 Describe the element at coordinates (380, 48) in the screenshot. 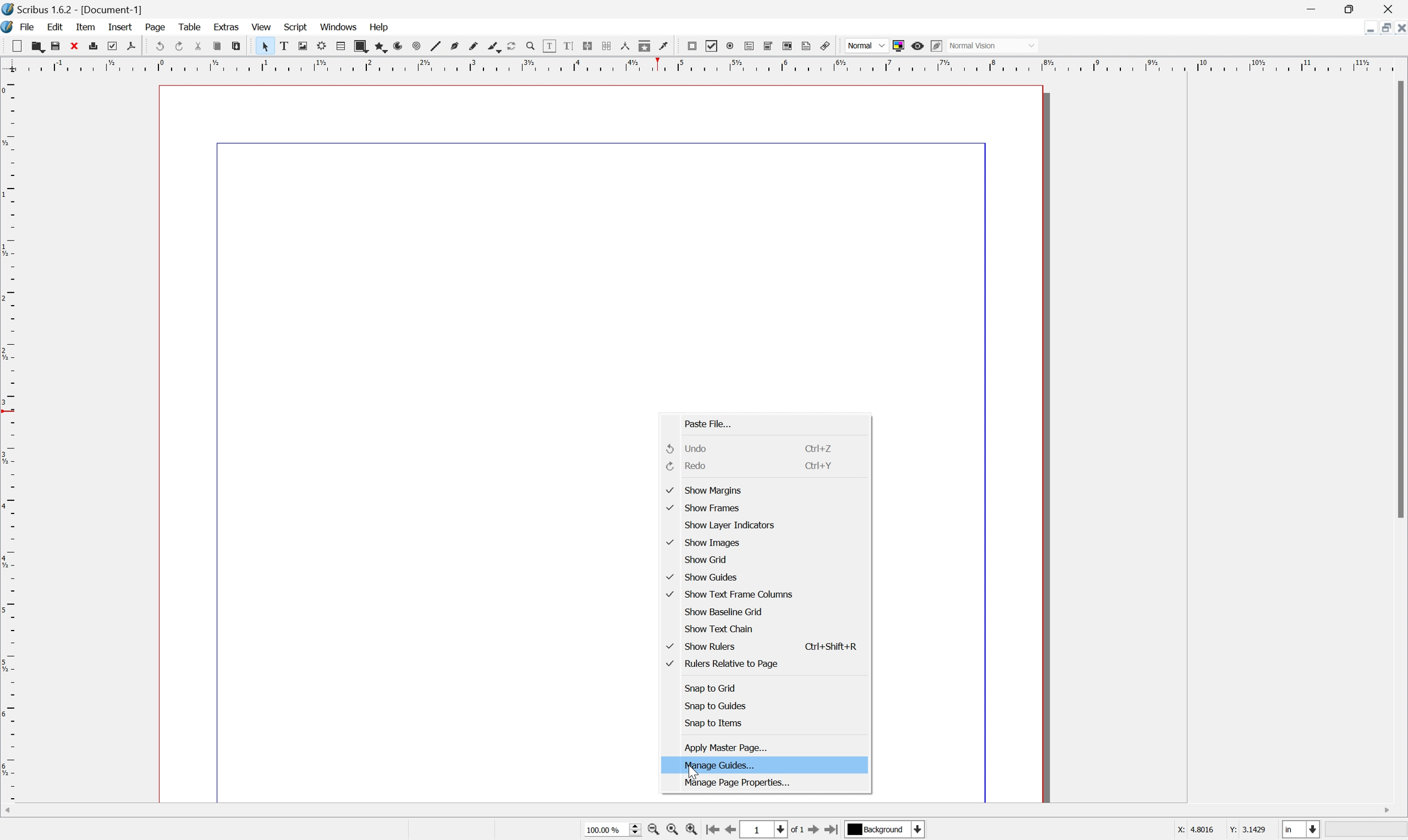

I see `polygon` at that location.